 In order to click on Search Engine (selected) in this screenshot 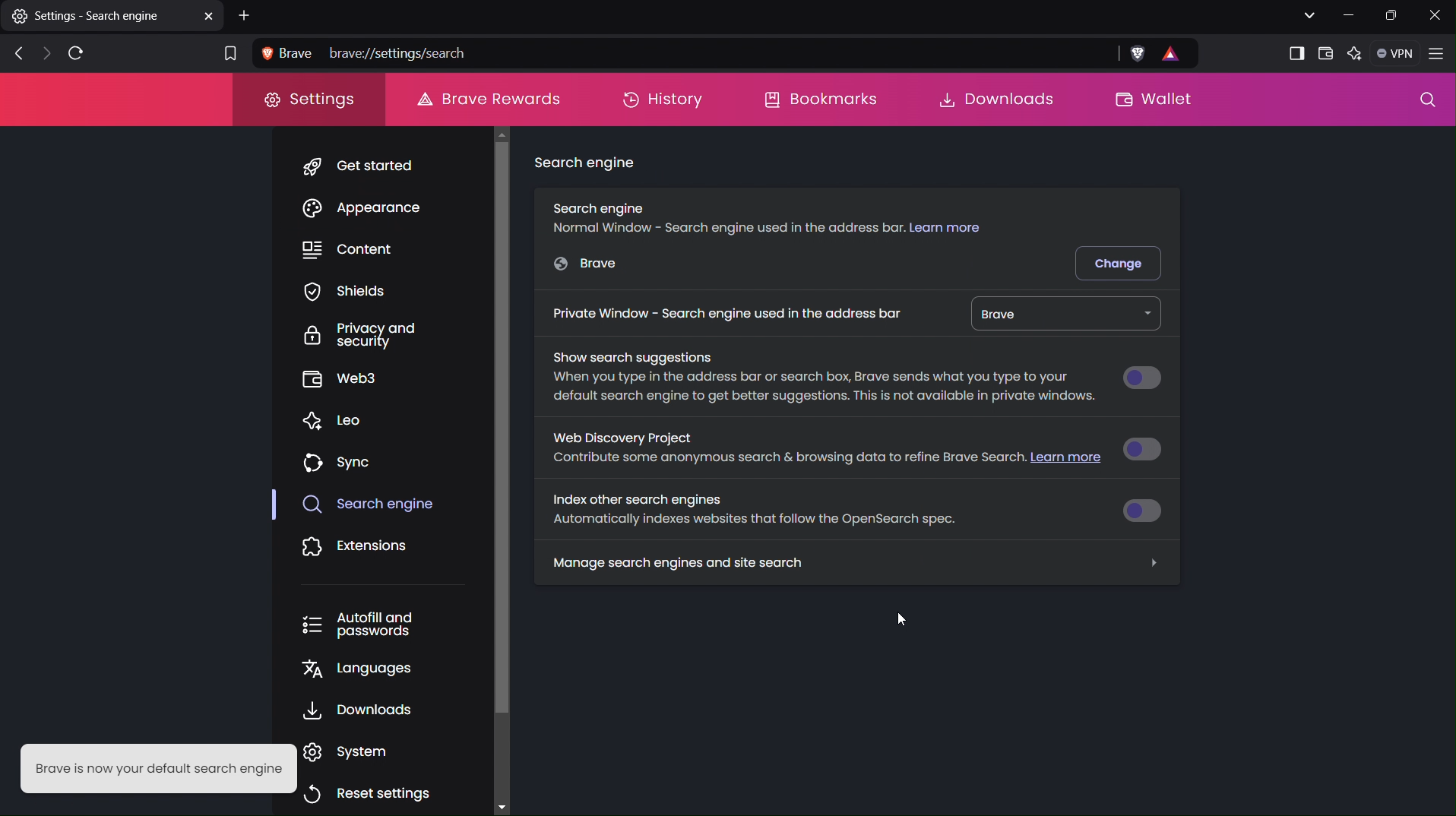, I will do `click(363, 505)`.